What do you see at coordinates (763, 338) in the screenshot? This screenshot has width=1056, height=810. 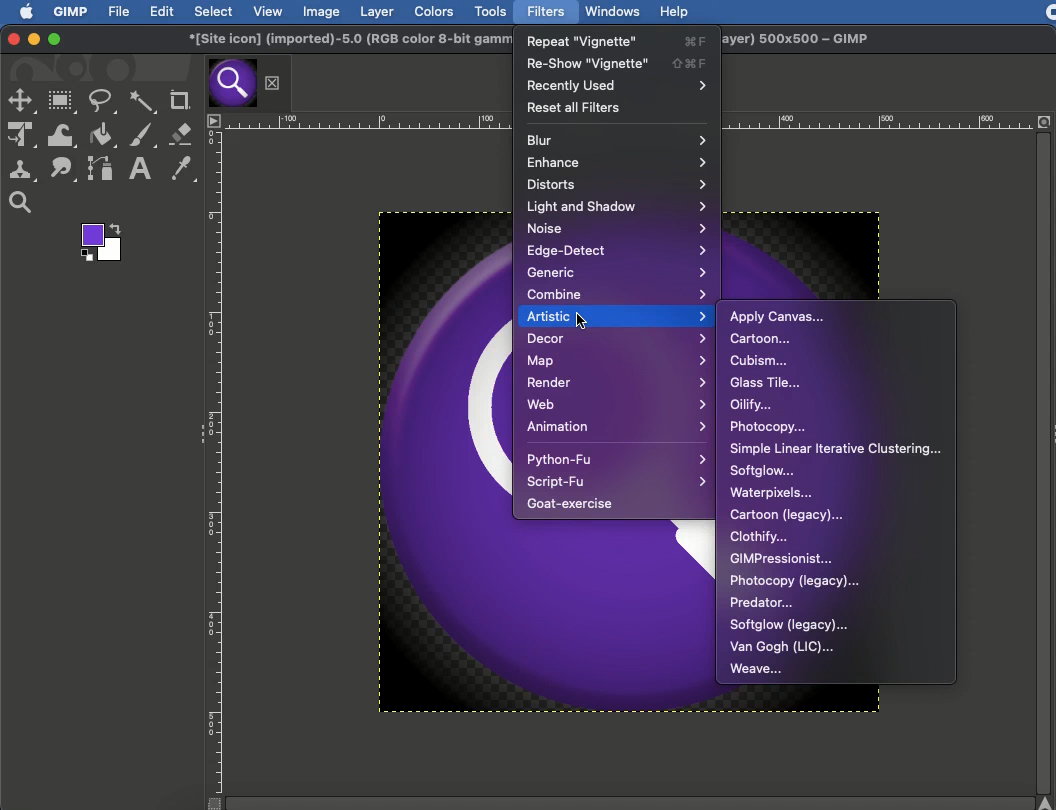 I see `Cartoon` at bounding box center [763, 338].